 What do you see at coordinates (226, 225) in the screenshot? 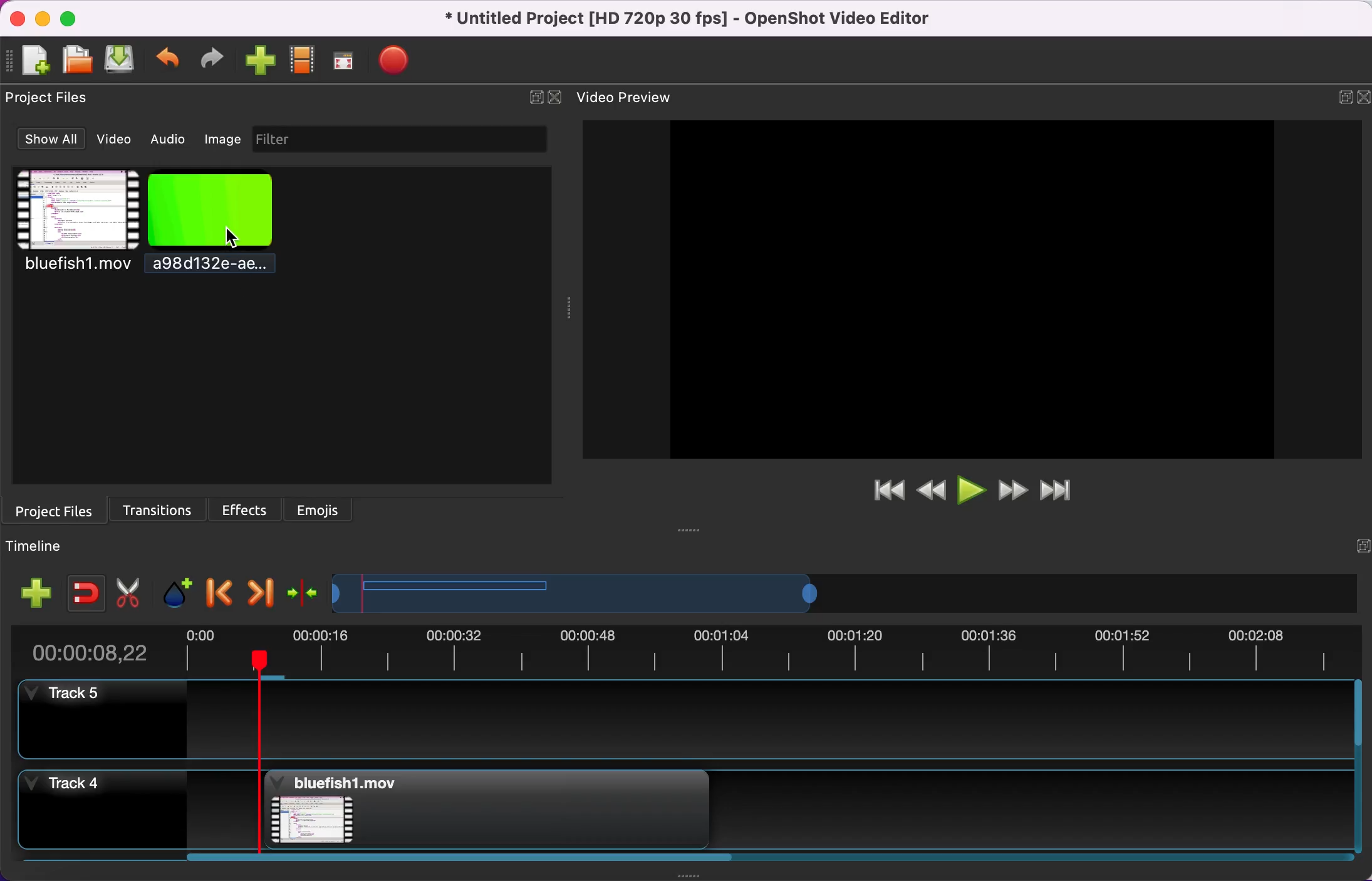
I see `picture` at bounding box center [226, 225].